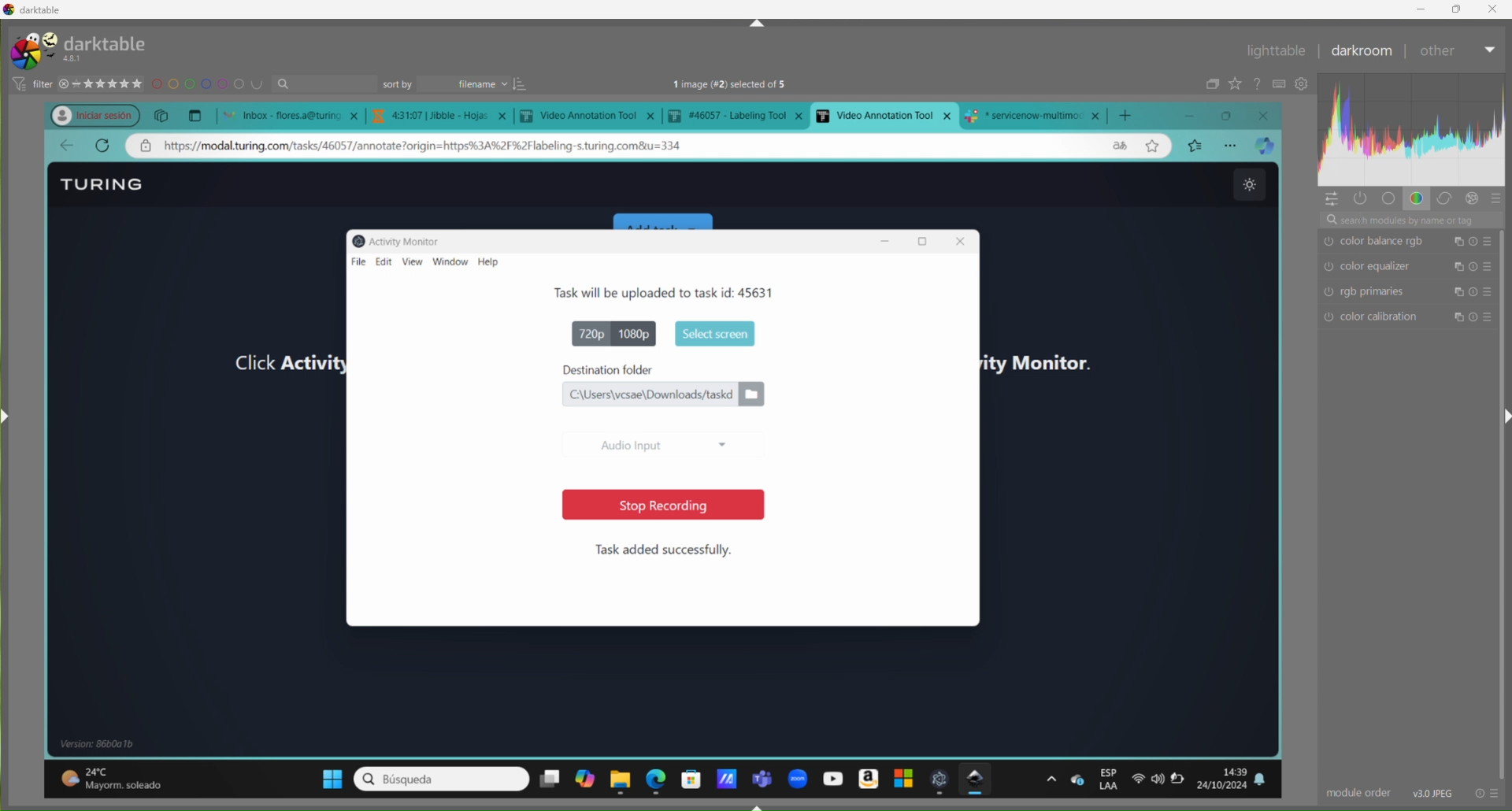 The height and width of the screenshot is (811, 1512). Describe the element at coordinates (451, 262) in the screenshot. I see `window` at that location.